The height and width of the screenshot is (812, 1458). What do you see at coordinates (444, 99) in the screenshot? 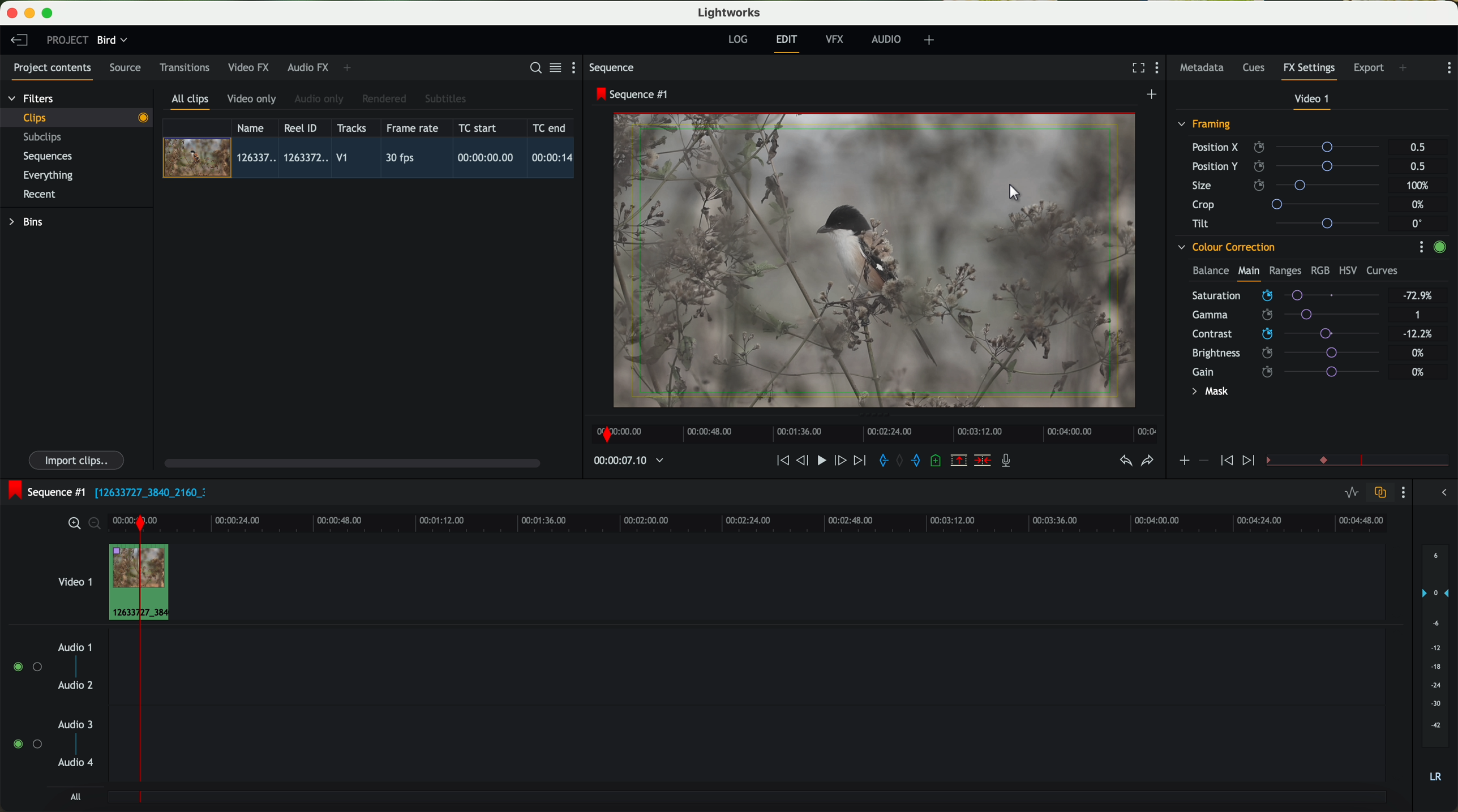
I see `subtitles` at bounding box center [444, 99].